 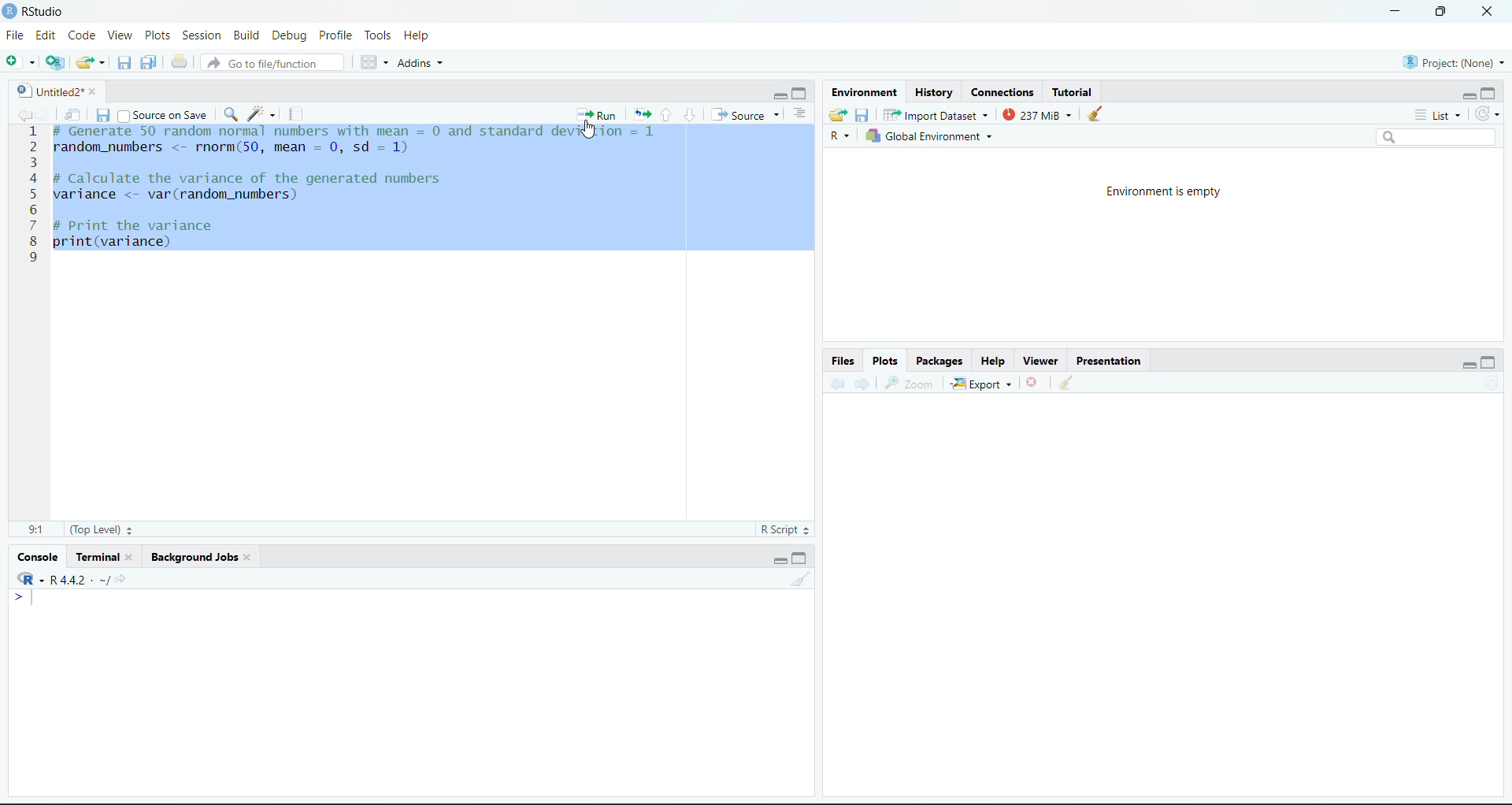 What do you see at coordinates (1488, 362) in the screenshot?
I see `maximize` at bounding box center [1488, 362].